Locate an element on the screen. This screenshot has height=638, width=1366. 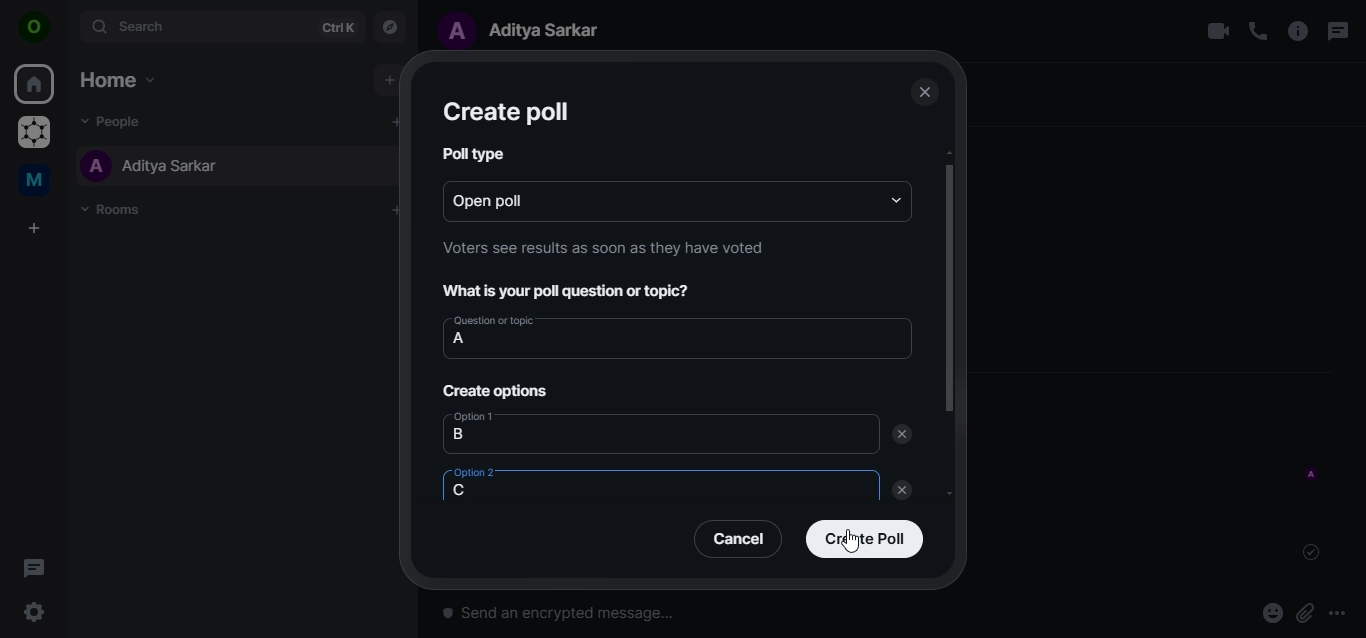
Voters see results as soon as they have voted is located at coordinates (600, 248).